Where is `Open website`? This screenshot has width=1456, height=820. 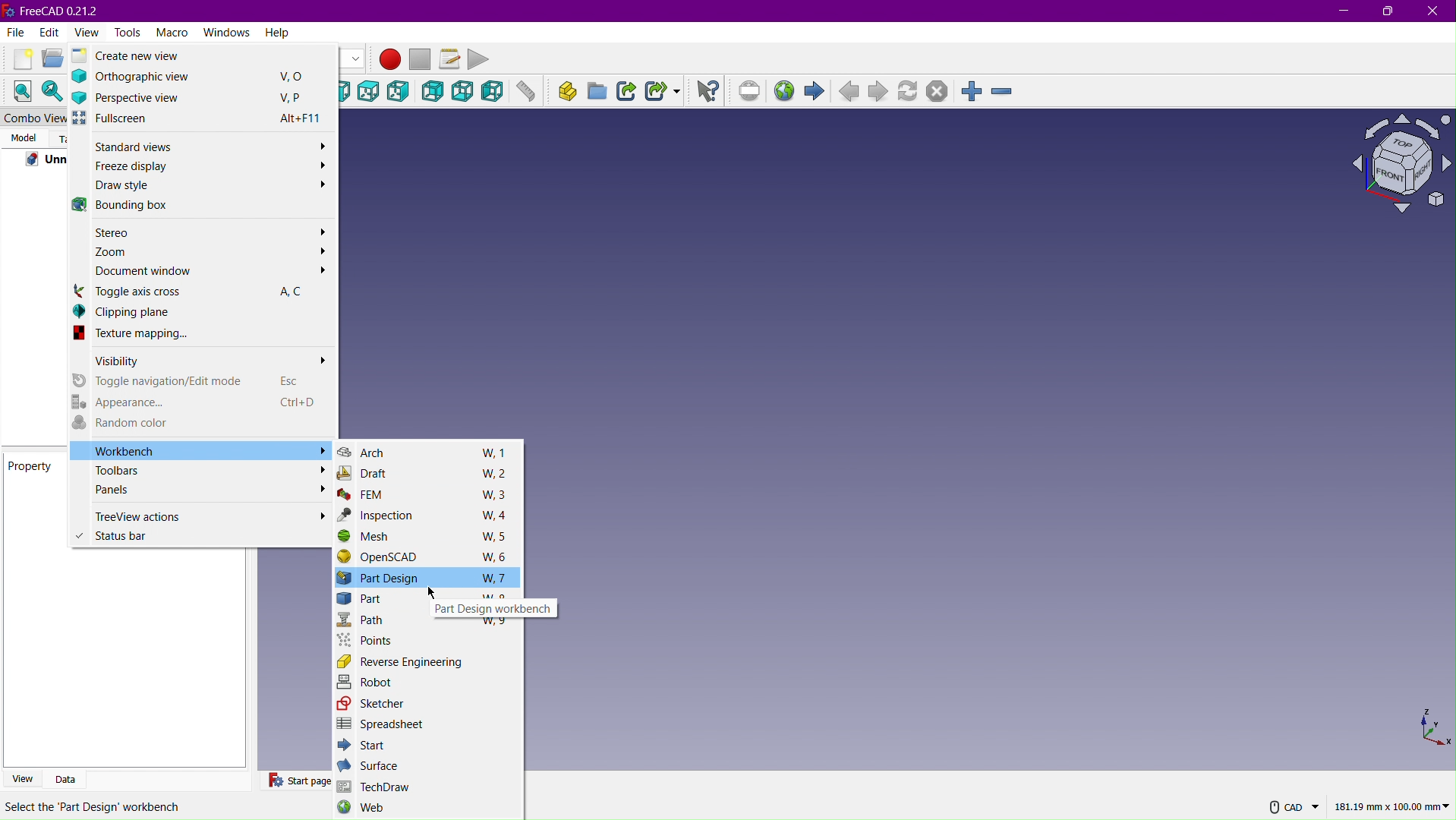 Open website is located at coordinates (783, 93).